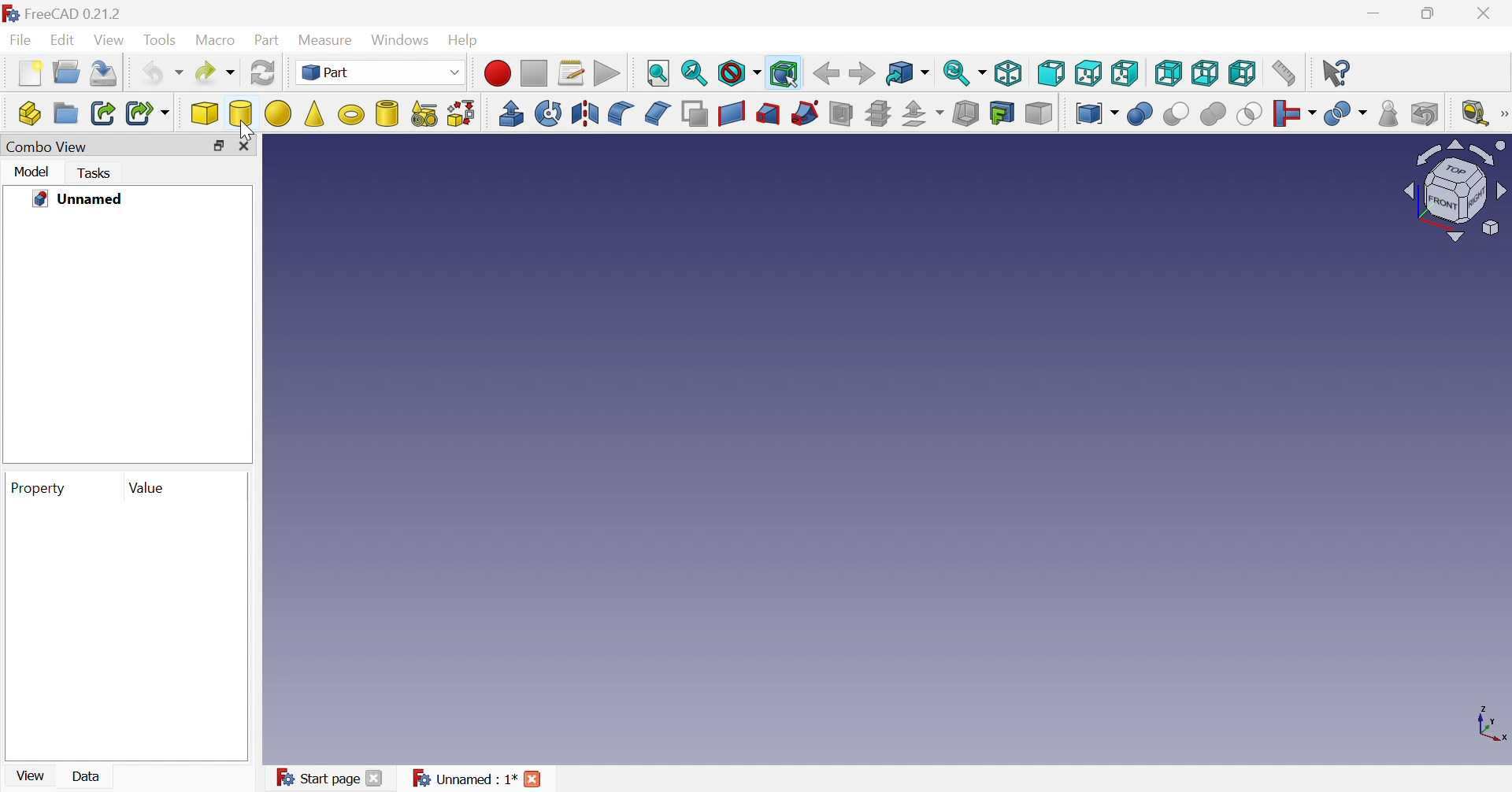 The height and width of the screenshot is (792, 1512). Describe the element at coordinates (1096, 113) in the screenshot. I see `Compound tools` at that location.